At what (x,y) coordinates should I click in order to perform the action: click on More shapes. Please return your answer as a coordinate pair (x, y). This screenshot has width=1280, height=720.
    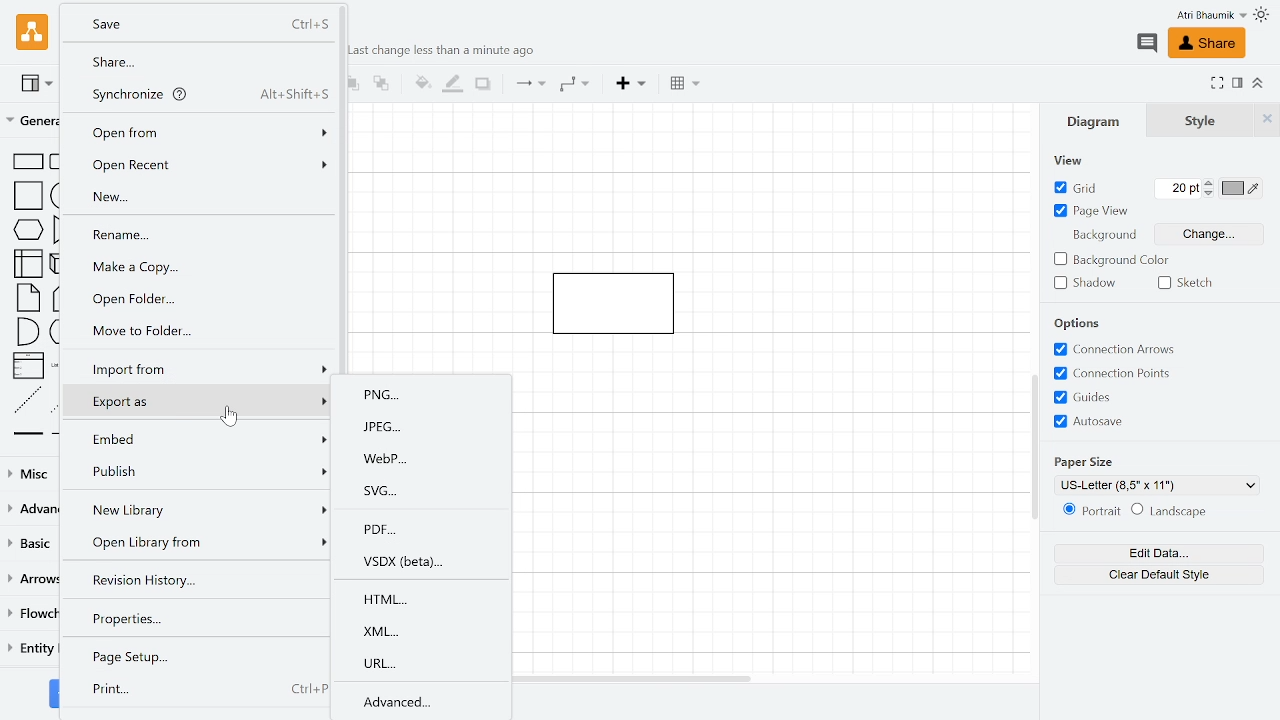
    Looking at the image, I should click on (56, 693).